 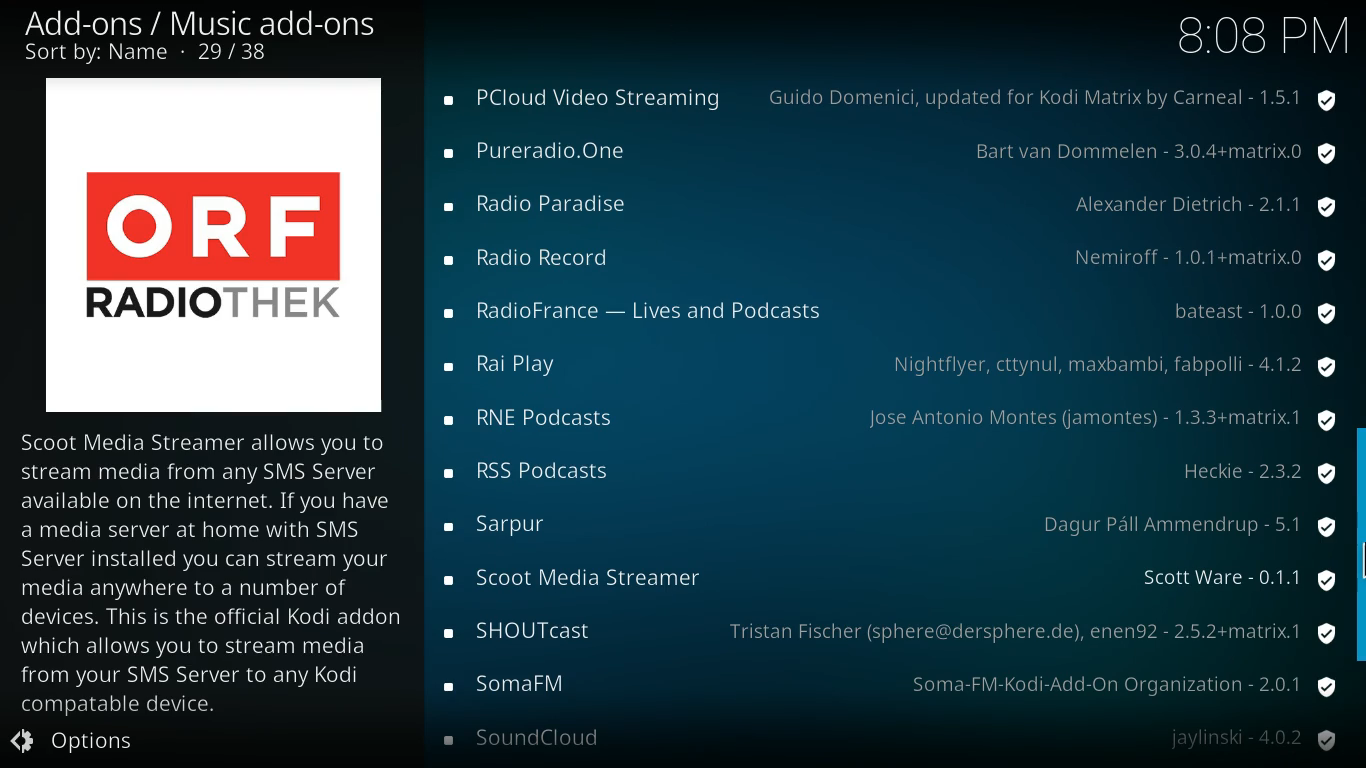 What do you see at coordinates (1035, 629) in the screenshot?
I see `provider` at bounding box center [1035, 629].